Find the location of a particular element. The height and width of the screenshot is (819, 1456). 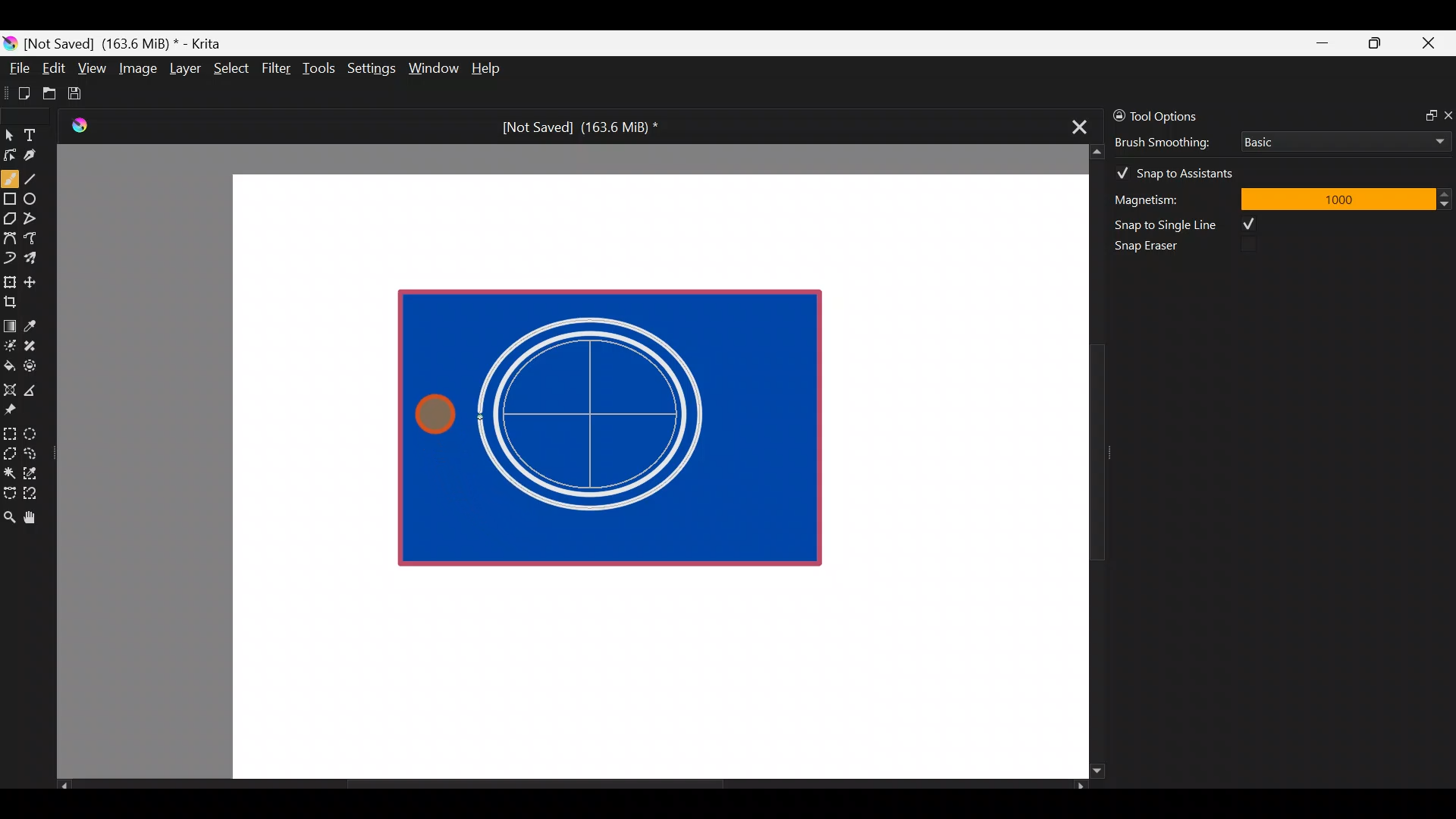

Calligraphy is located at coordinates (41, 158).